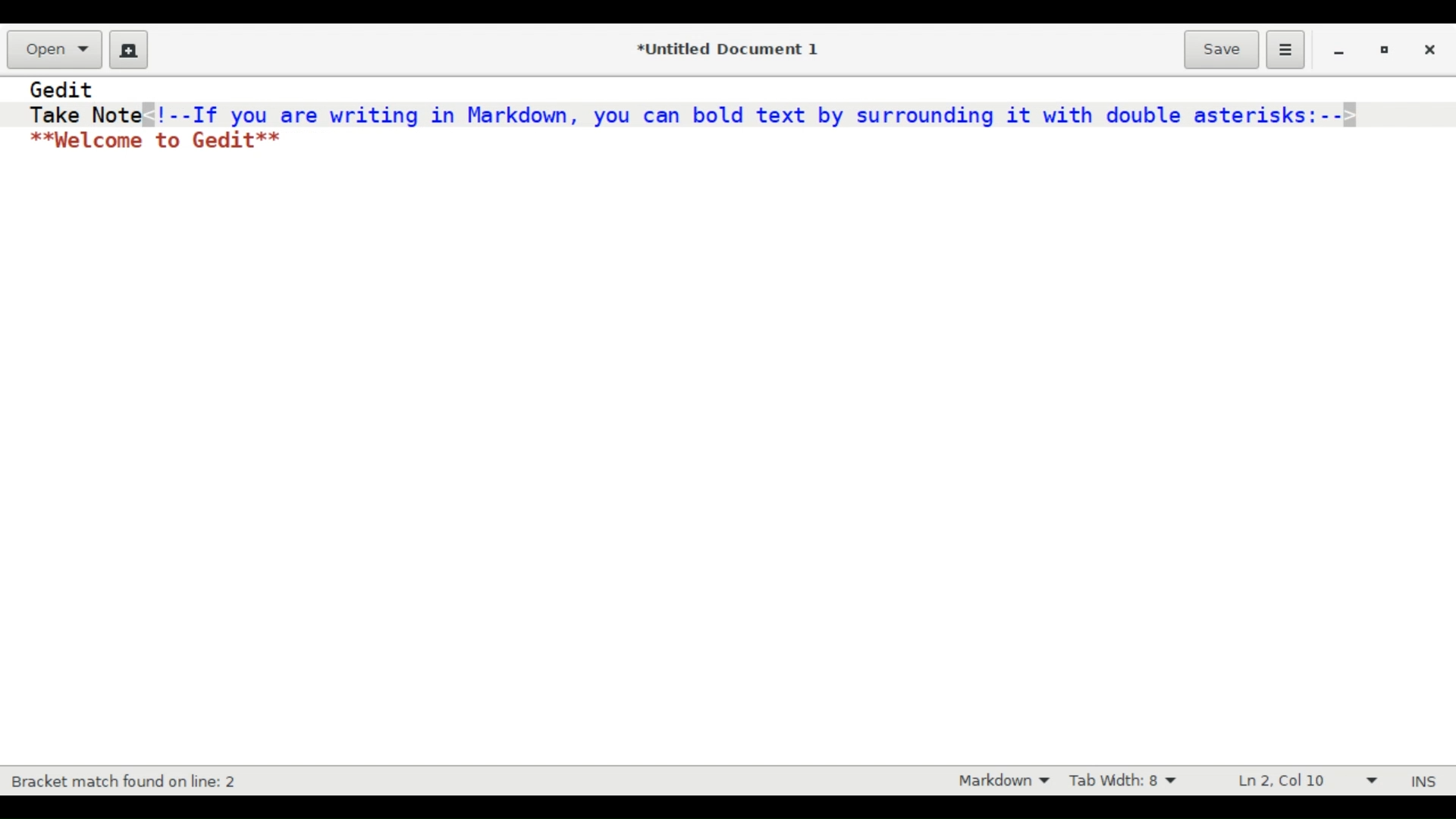  Describe the element at coordinates (54, 49) in the screenshot. I see `Open` at that location.